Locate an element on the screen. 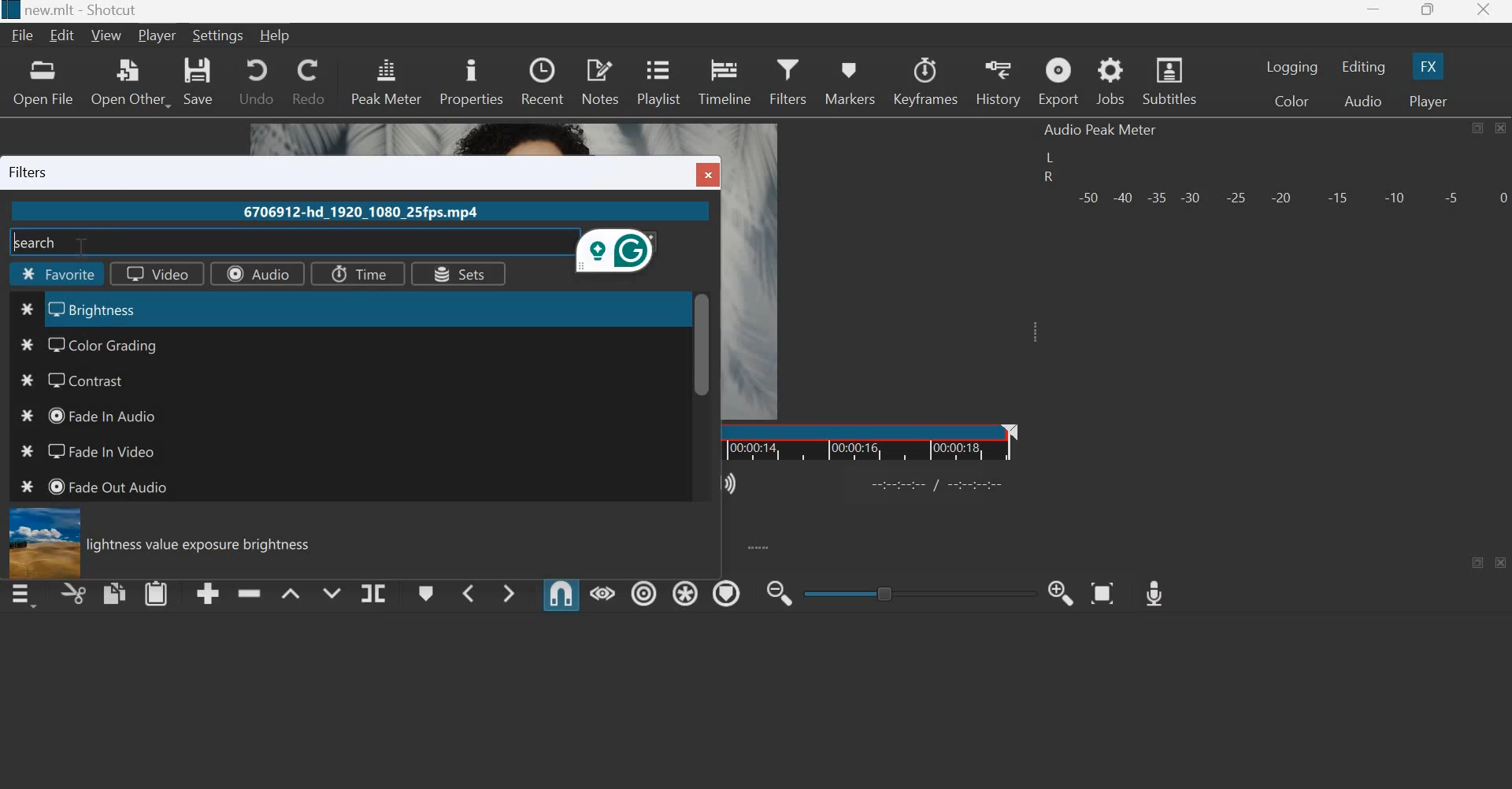 The height and width of the screenshot is (789, 1512). open other is located at coordinates (129, 82).